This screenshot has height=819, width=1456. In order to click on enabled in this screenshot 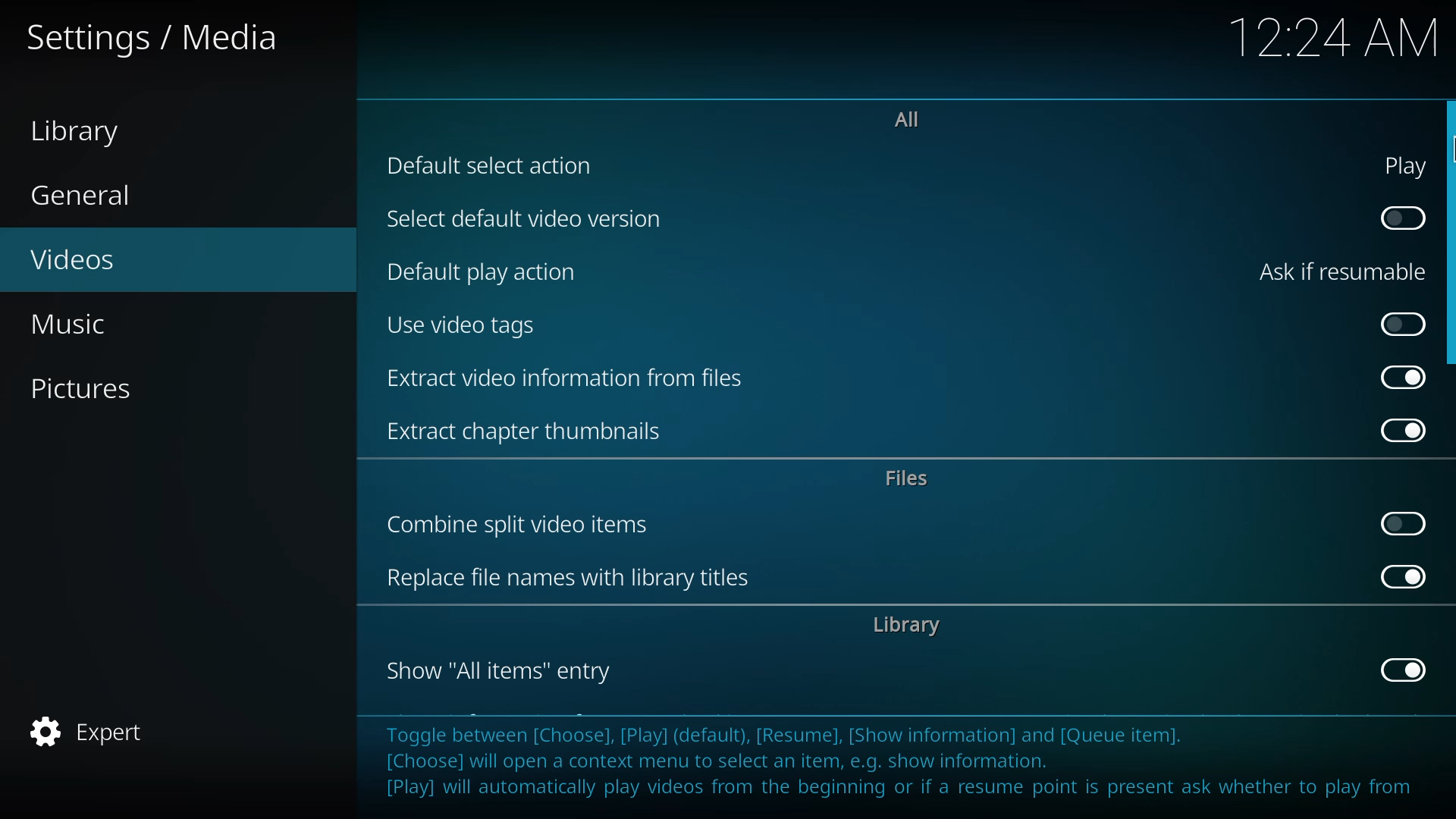, I will do `click(1404, 429)`.